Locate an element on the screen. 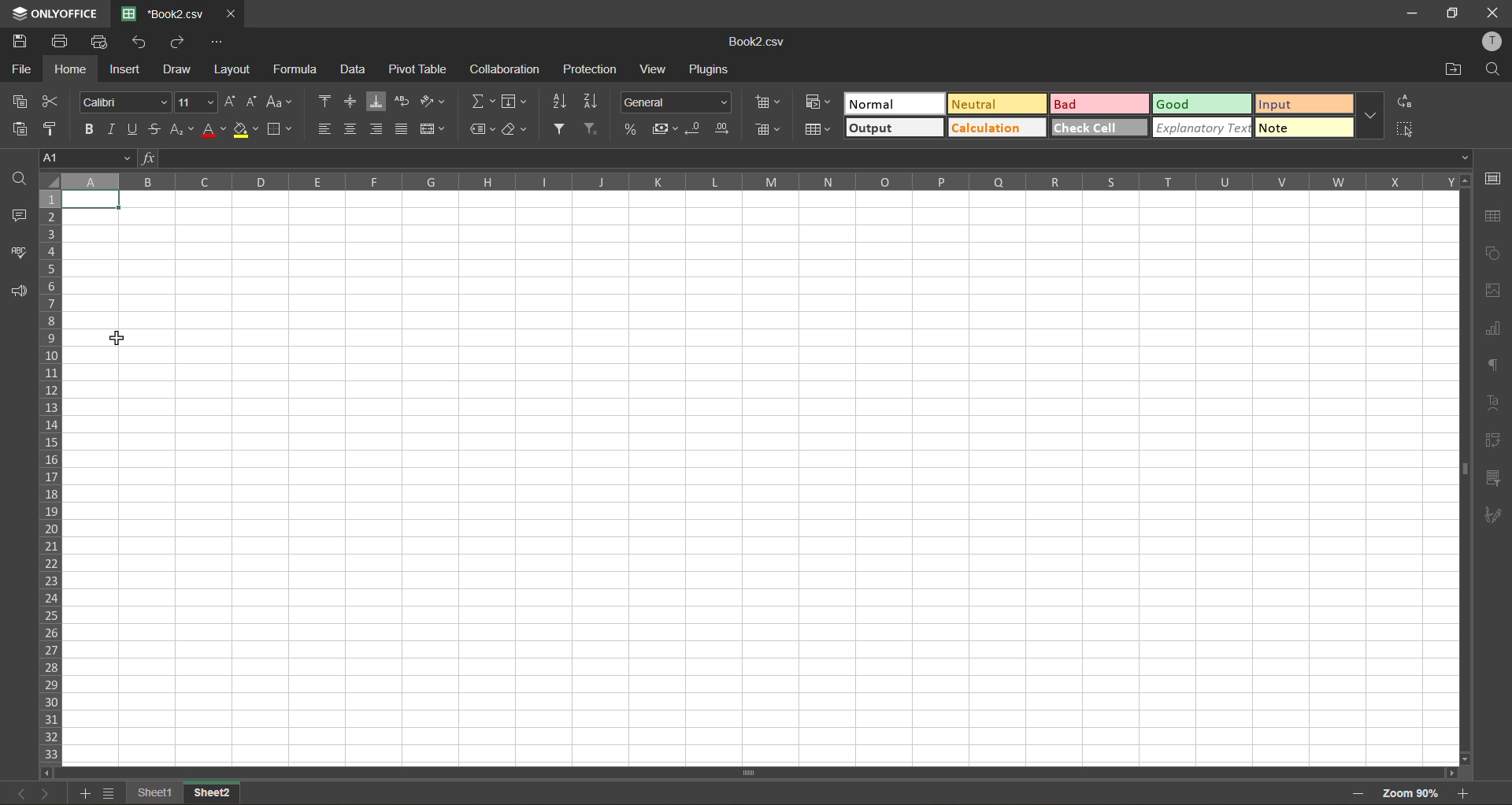  close tab is located at coordinates (228, 12).